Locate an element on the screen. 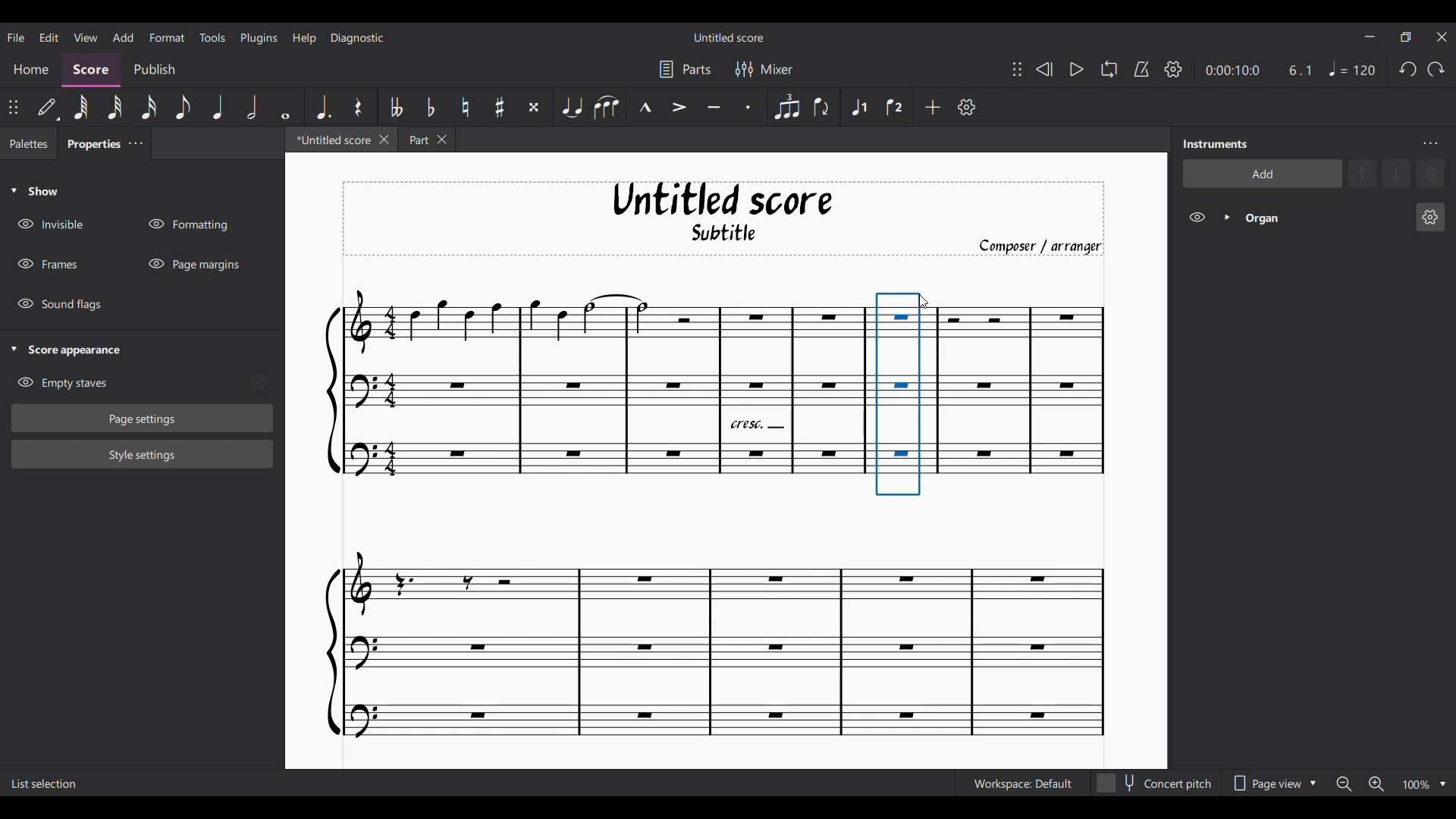 The height and width of the screenshot is (819, 1456). Accent is located at coordinates (679, 107).